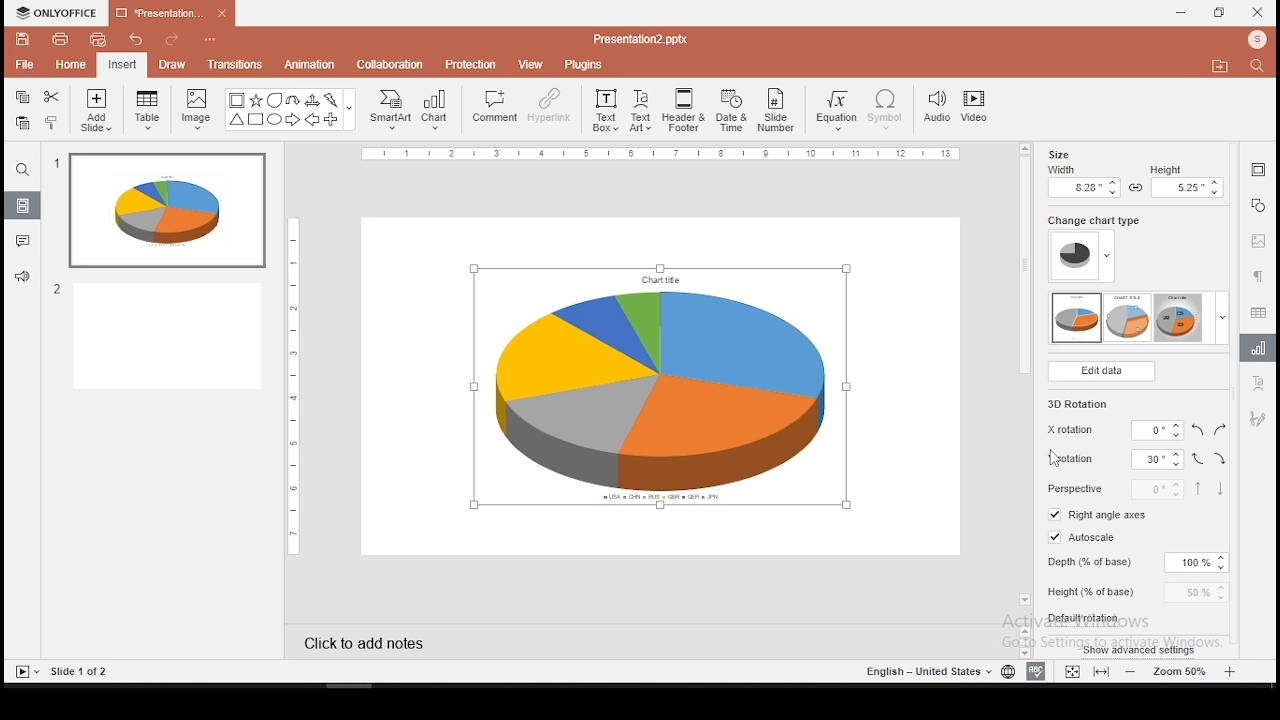 The height and width of the screenshot is (720, 1280). Describe the element at coordinates (312, 65) in the screenshot. I see `animation` at that location.